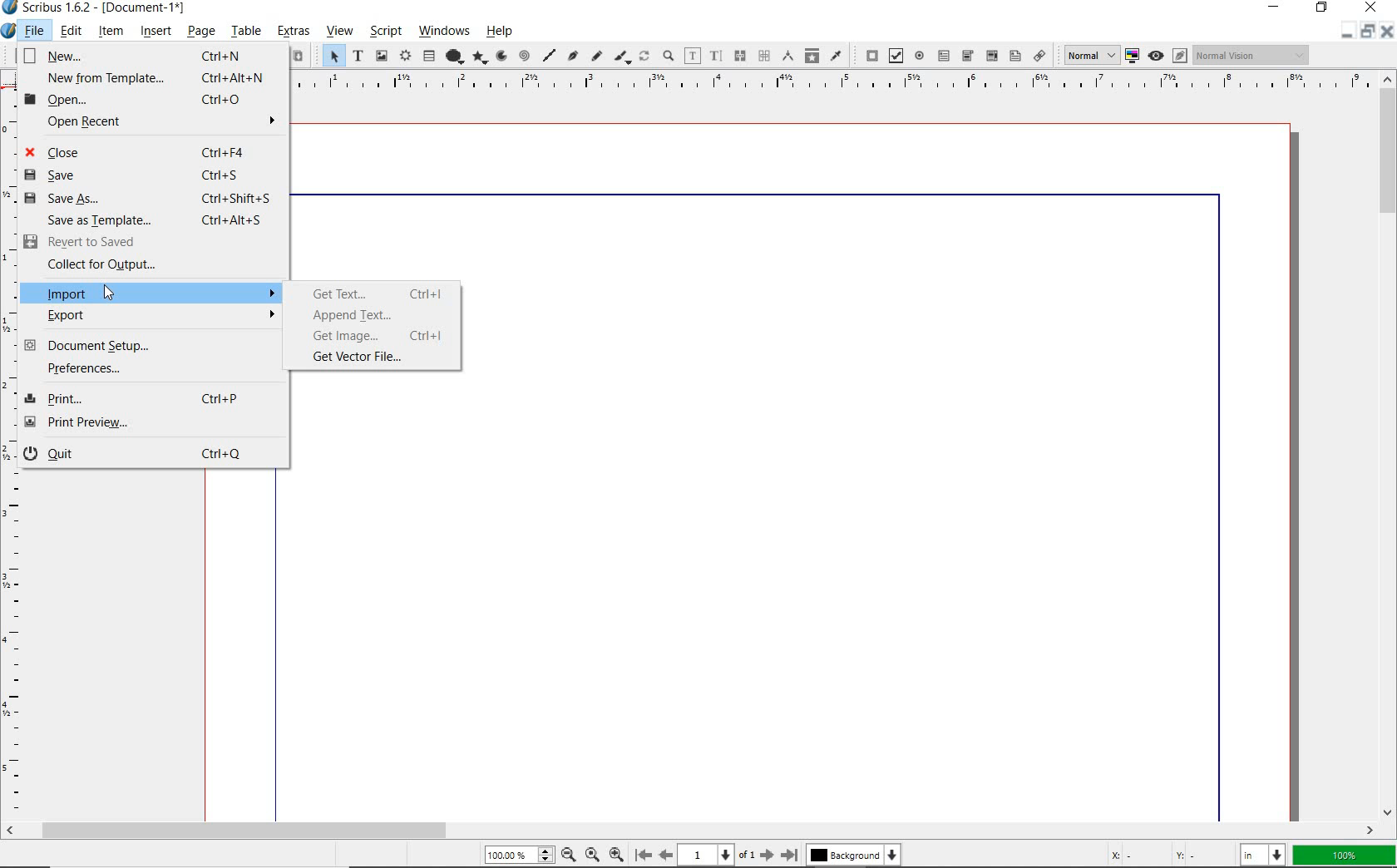 This screenshot has height=868, width=1397. What do you see at coordinates (1133, 55) in the screenshot?
I see `toggle color` at bounding box center [1133, 55].